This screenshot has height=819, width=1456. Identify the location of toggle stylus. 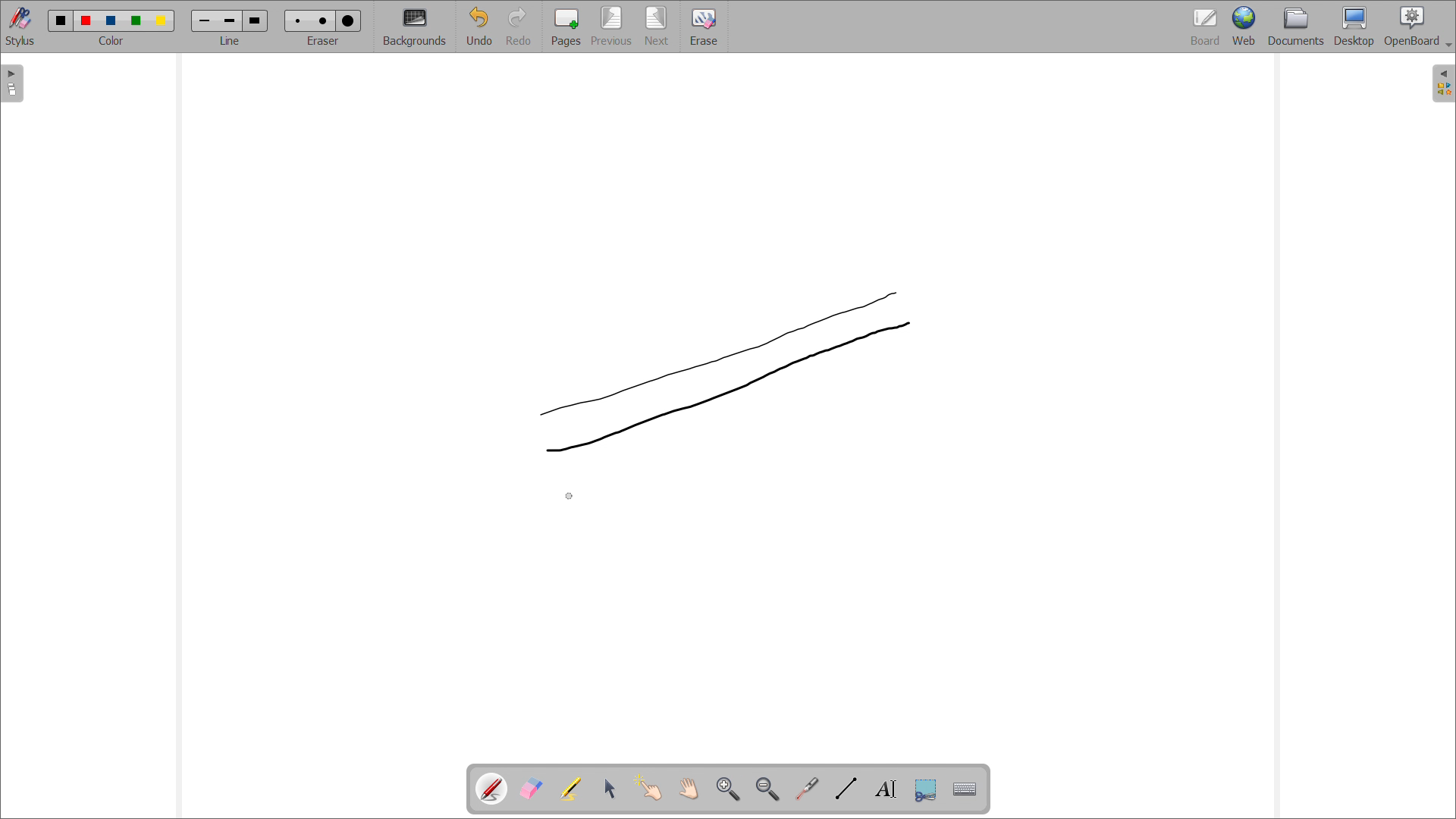
(20, 26).